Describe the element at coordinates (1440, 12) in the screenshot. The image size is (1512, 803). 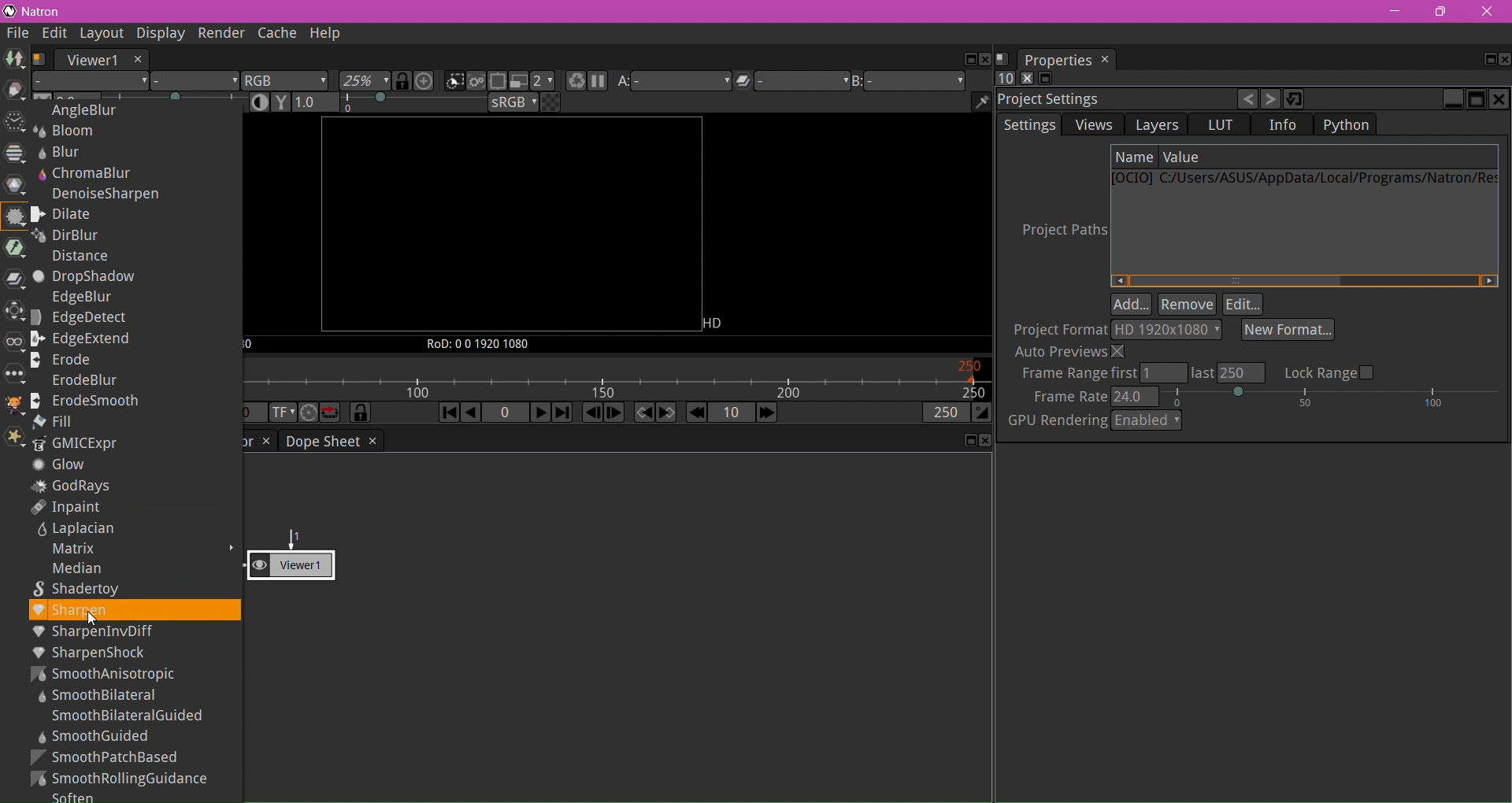
I see `Restore Down` at that location.